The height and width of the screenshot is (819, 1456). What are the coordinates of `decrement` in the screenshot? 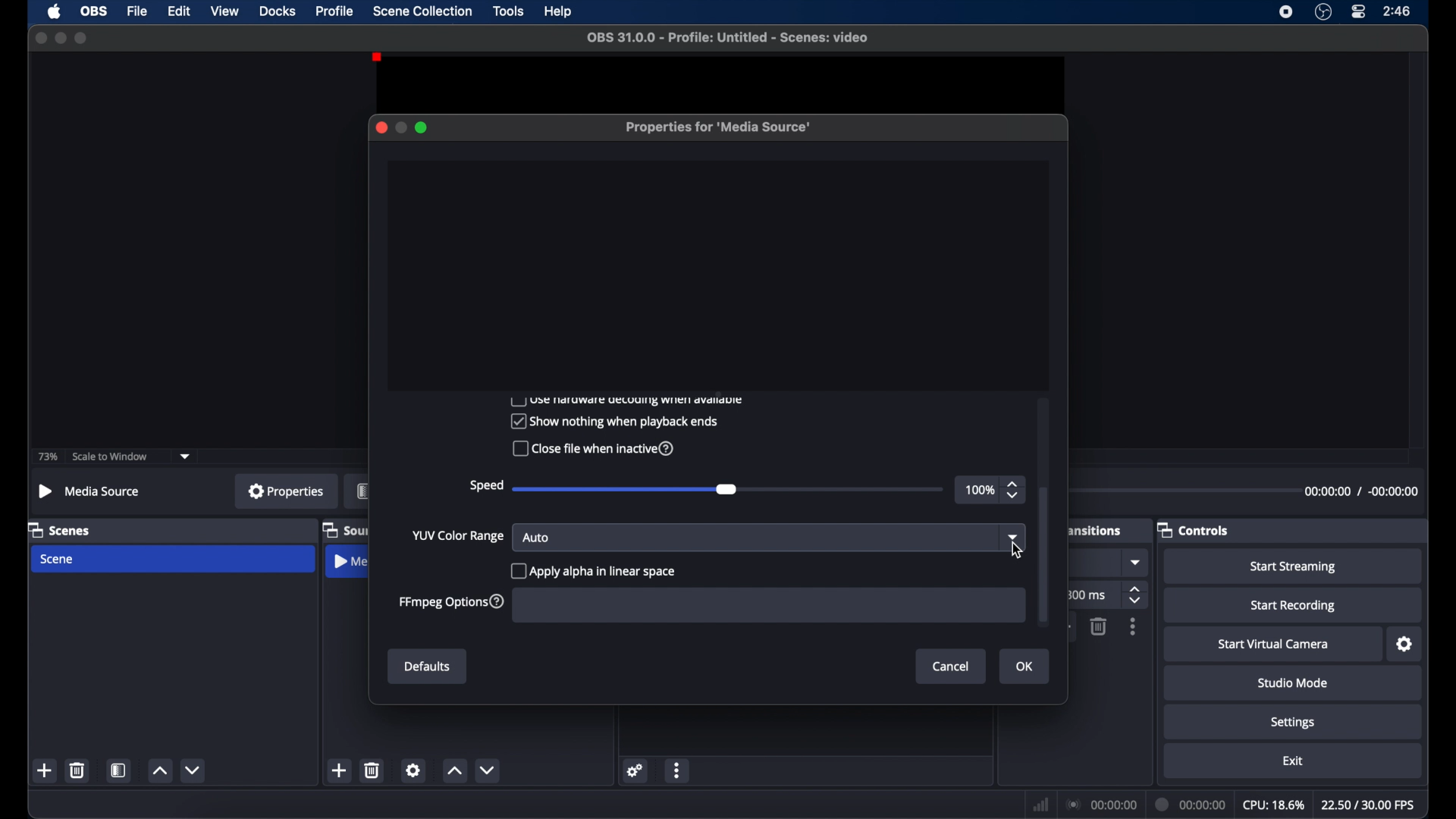 It's located at (194, 770).